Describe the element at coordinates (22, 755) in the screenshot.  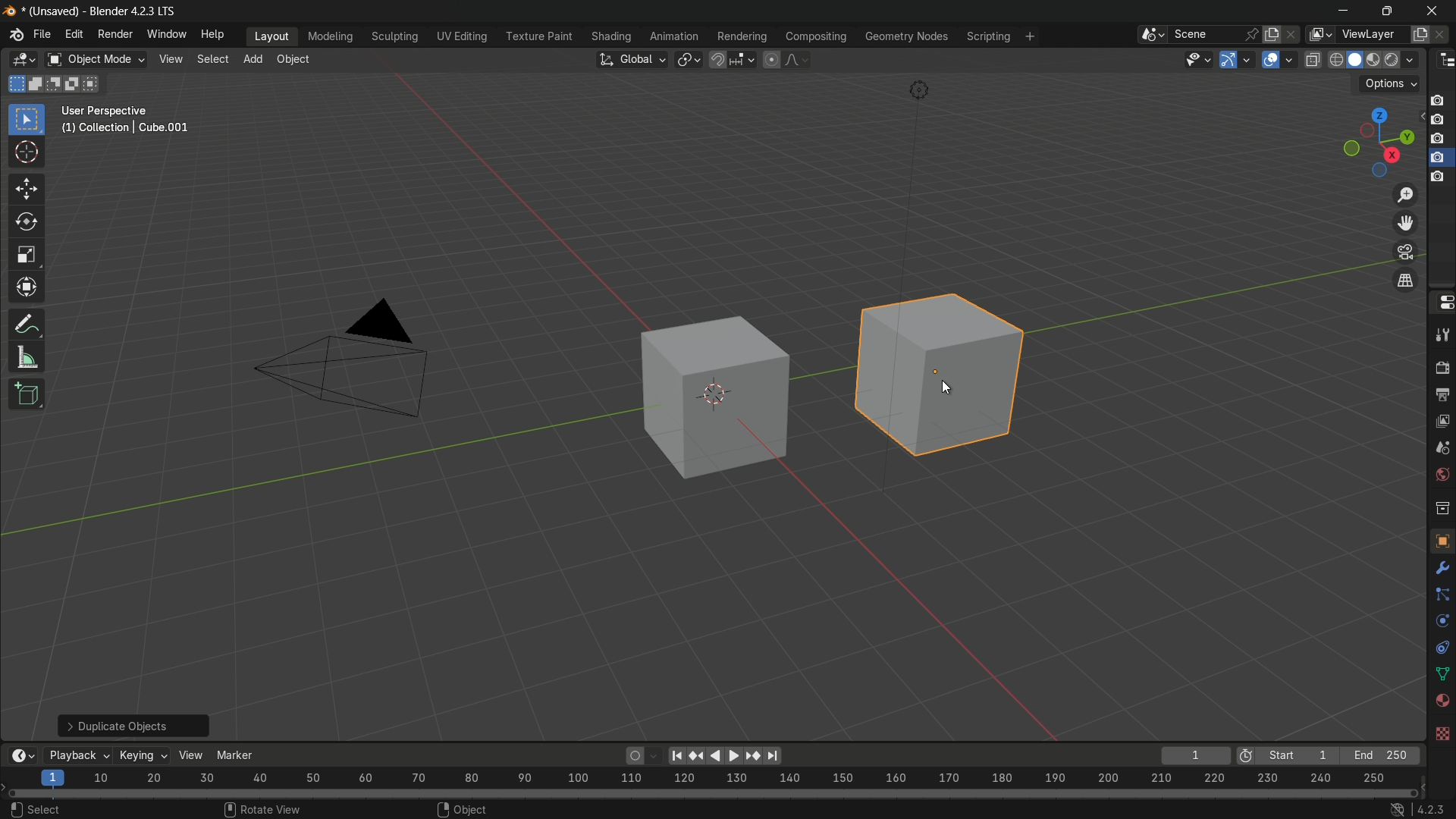
I see `timeline` at that location.